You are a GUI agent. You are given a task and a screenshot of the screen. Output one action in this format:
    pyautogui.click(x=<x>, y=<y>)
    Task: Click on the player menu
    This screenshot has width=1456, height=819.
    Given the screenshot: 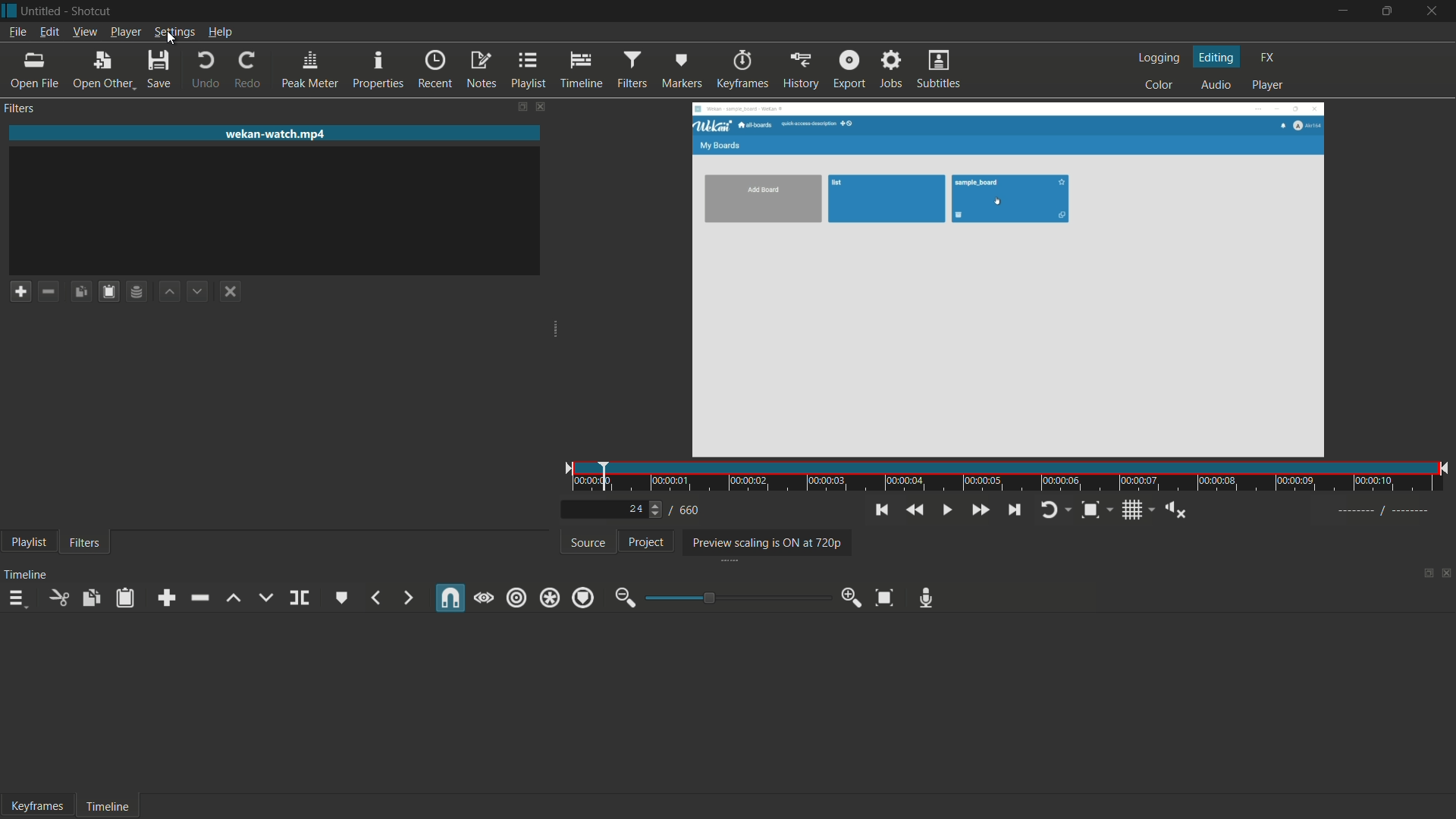 What is the action you would take?
    pyautogui.click(x=124, y=32)
    